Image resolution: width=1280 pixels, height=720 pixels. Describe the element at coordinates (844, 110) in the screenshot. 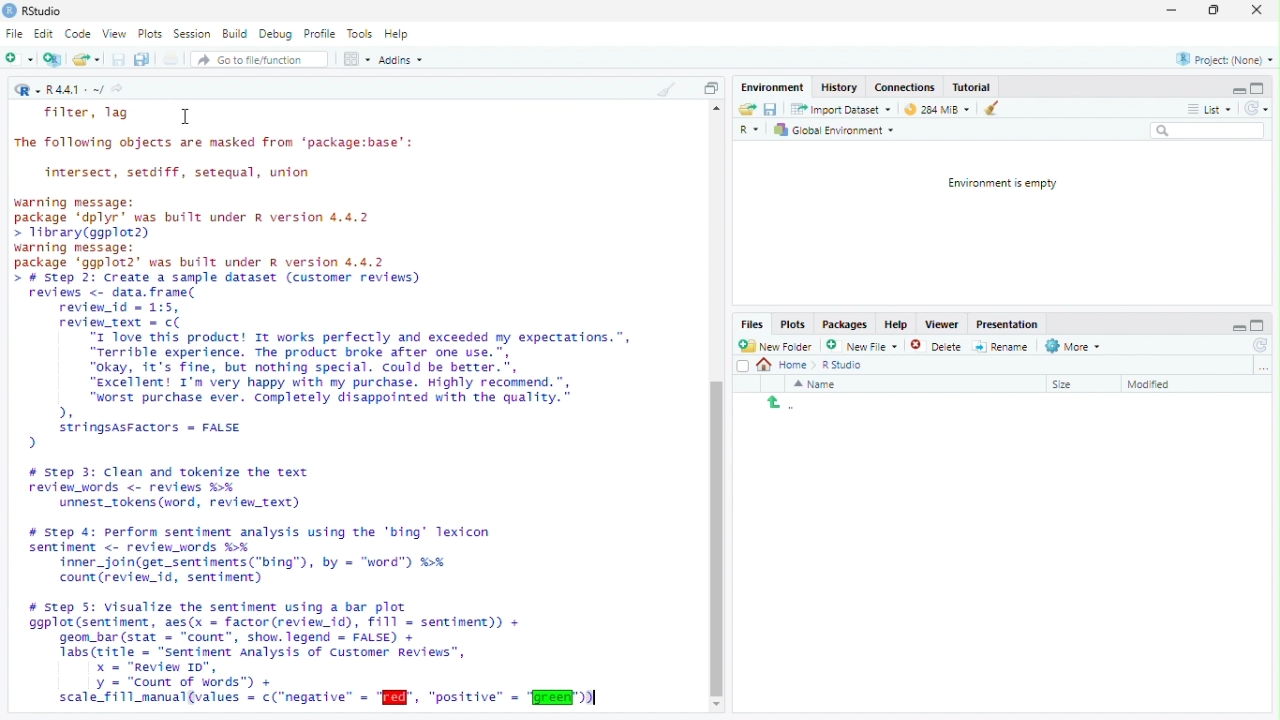

I see `Import Dataset` at that location.